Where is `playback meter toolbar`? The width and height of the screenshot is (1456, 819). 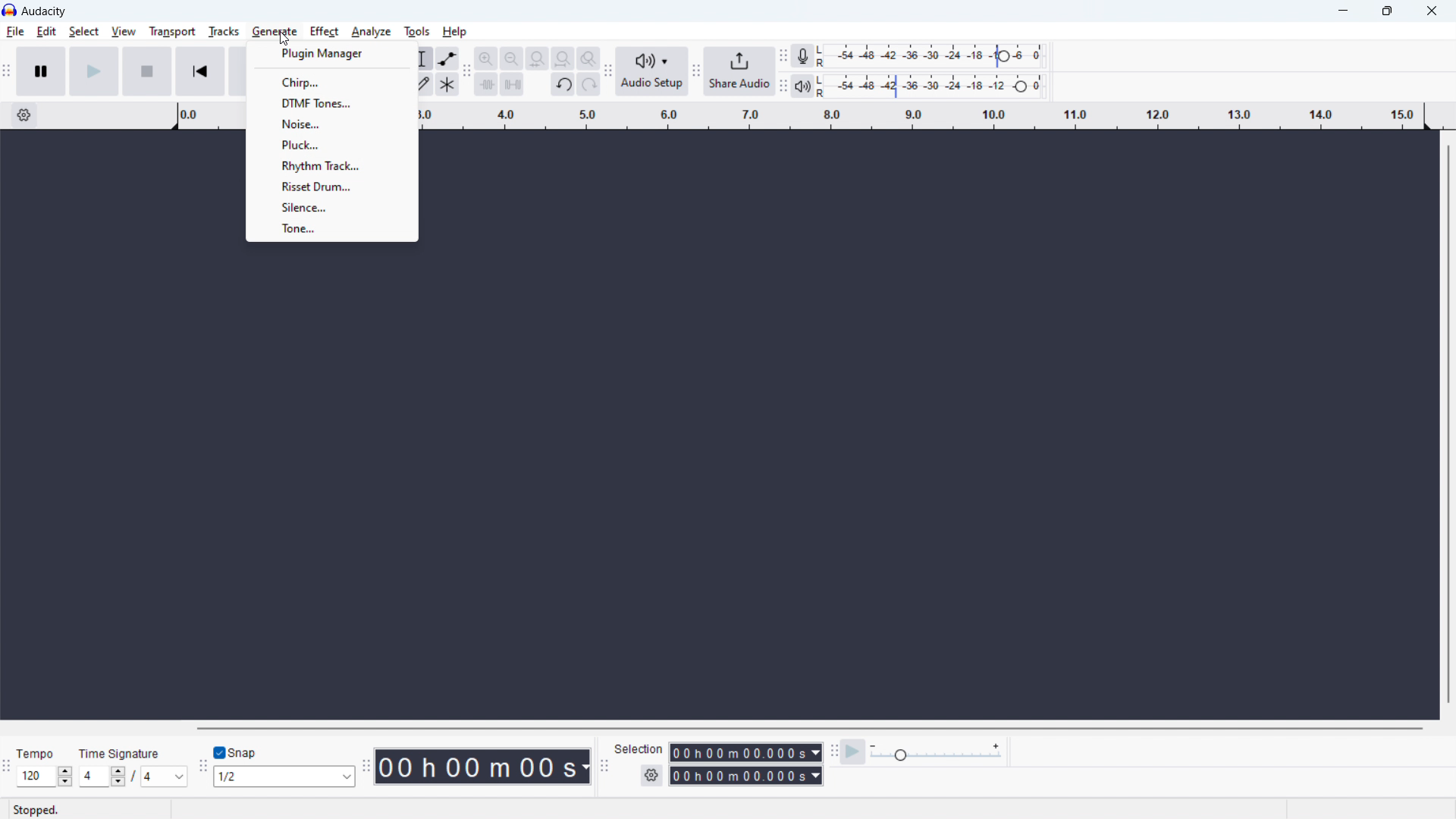
playback meter toolbar is located at coordinates (783, 87).